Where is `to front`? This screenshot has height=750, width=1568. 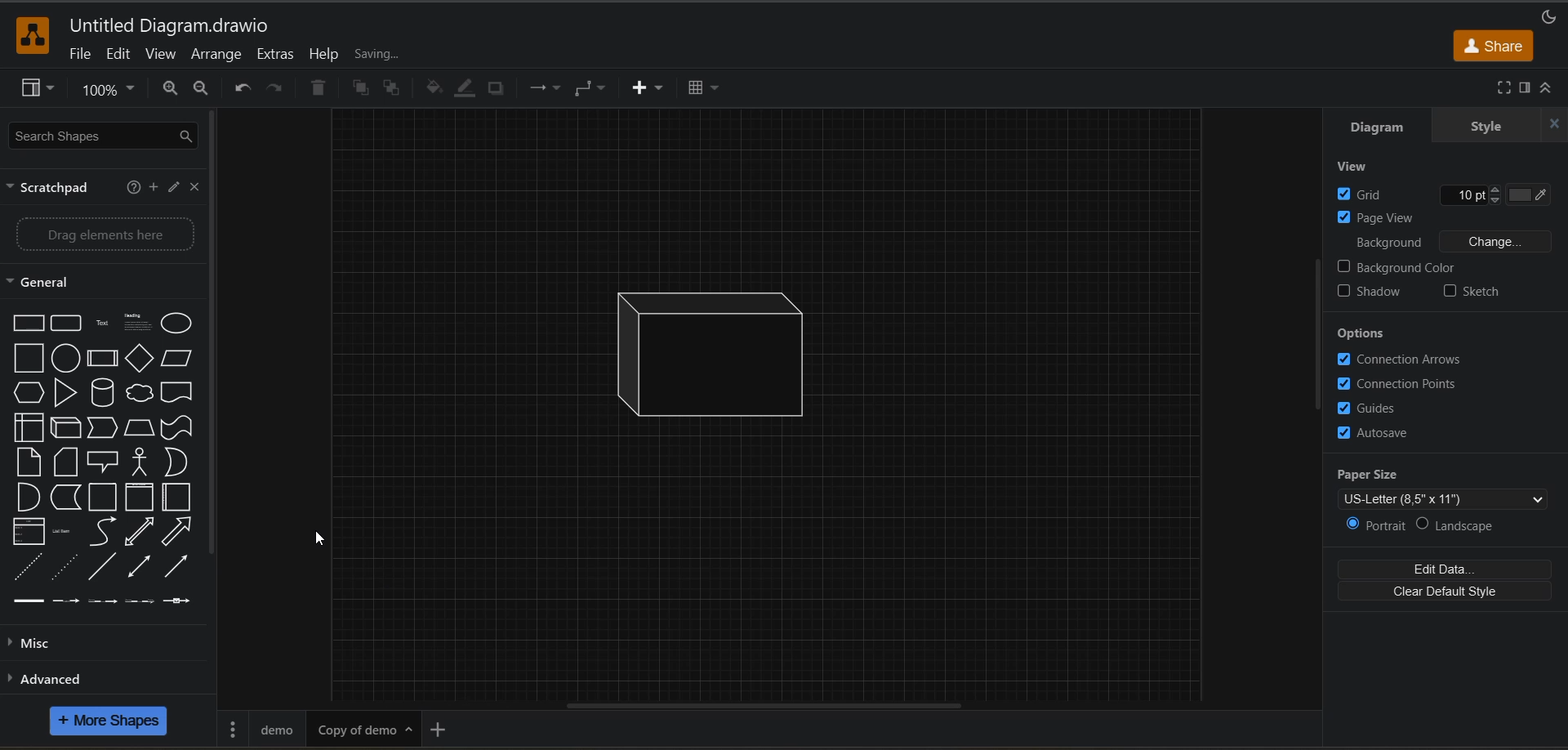 to front is located at coordinates (363, 92).